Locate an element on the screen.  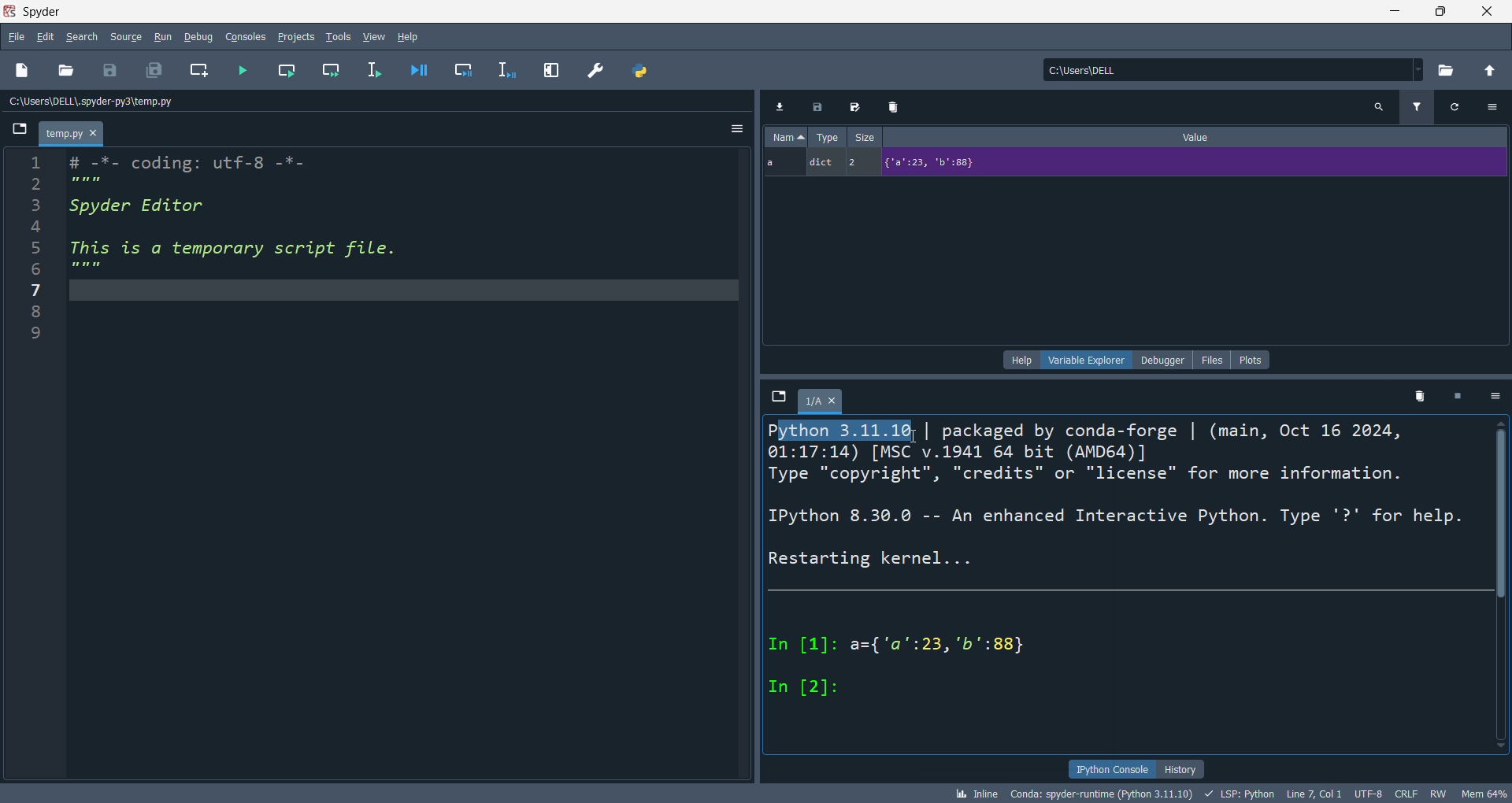
expand pane is located at coordinates (553, 71).